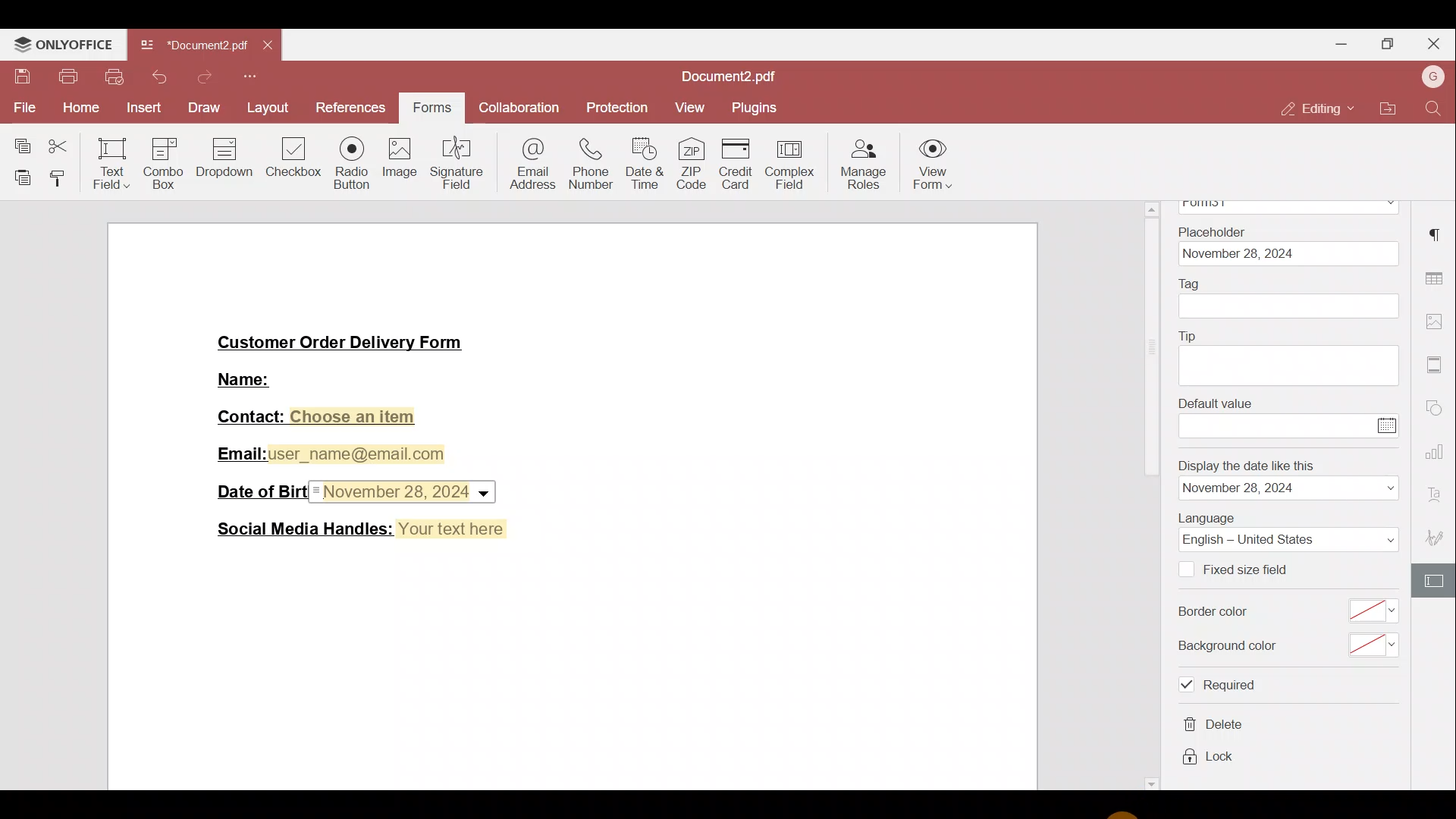  What do you see at coordinates (1274, 426) in the screenshot?
I see `enter value` at bounding box center [1274, 426].